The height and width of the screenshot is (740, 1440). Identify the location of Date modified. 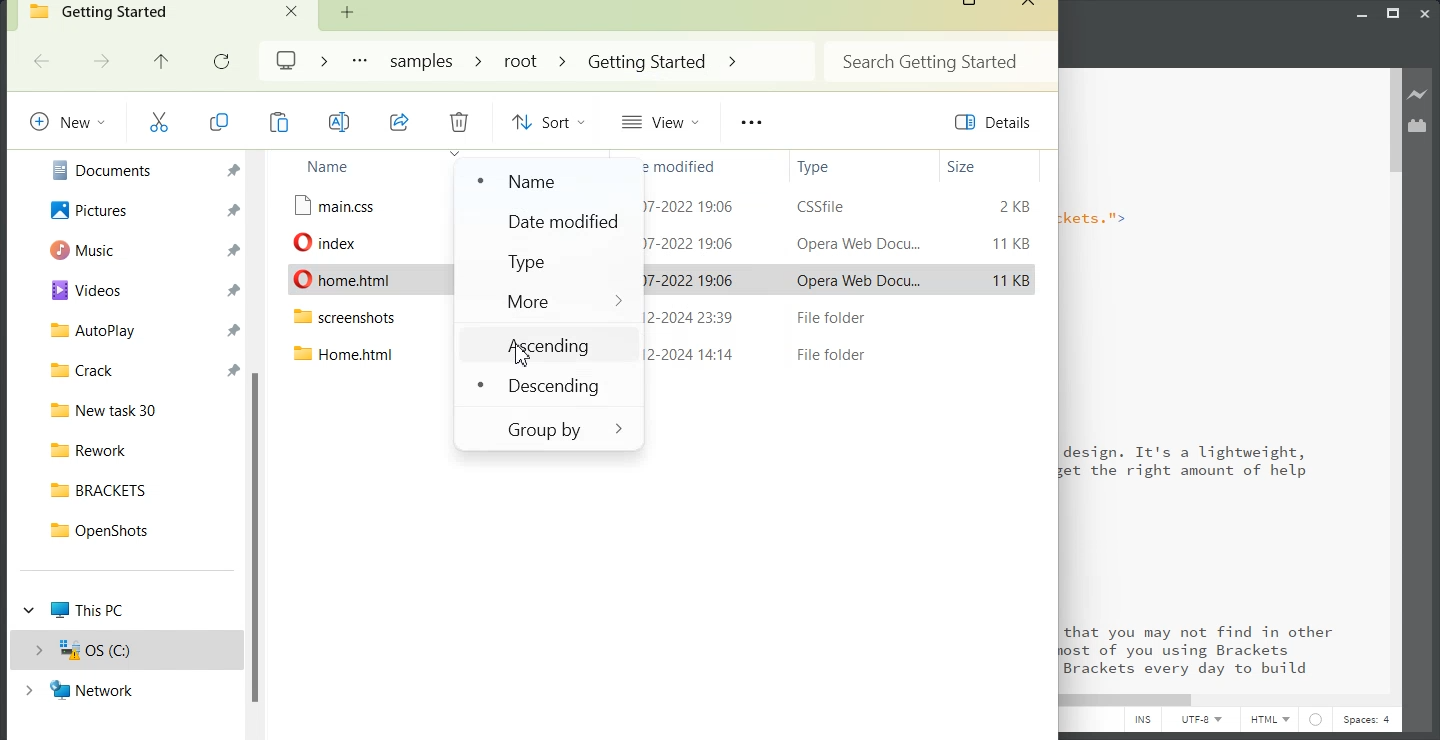
(678, 165).